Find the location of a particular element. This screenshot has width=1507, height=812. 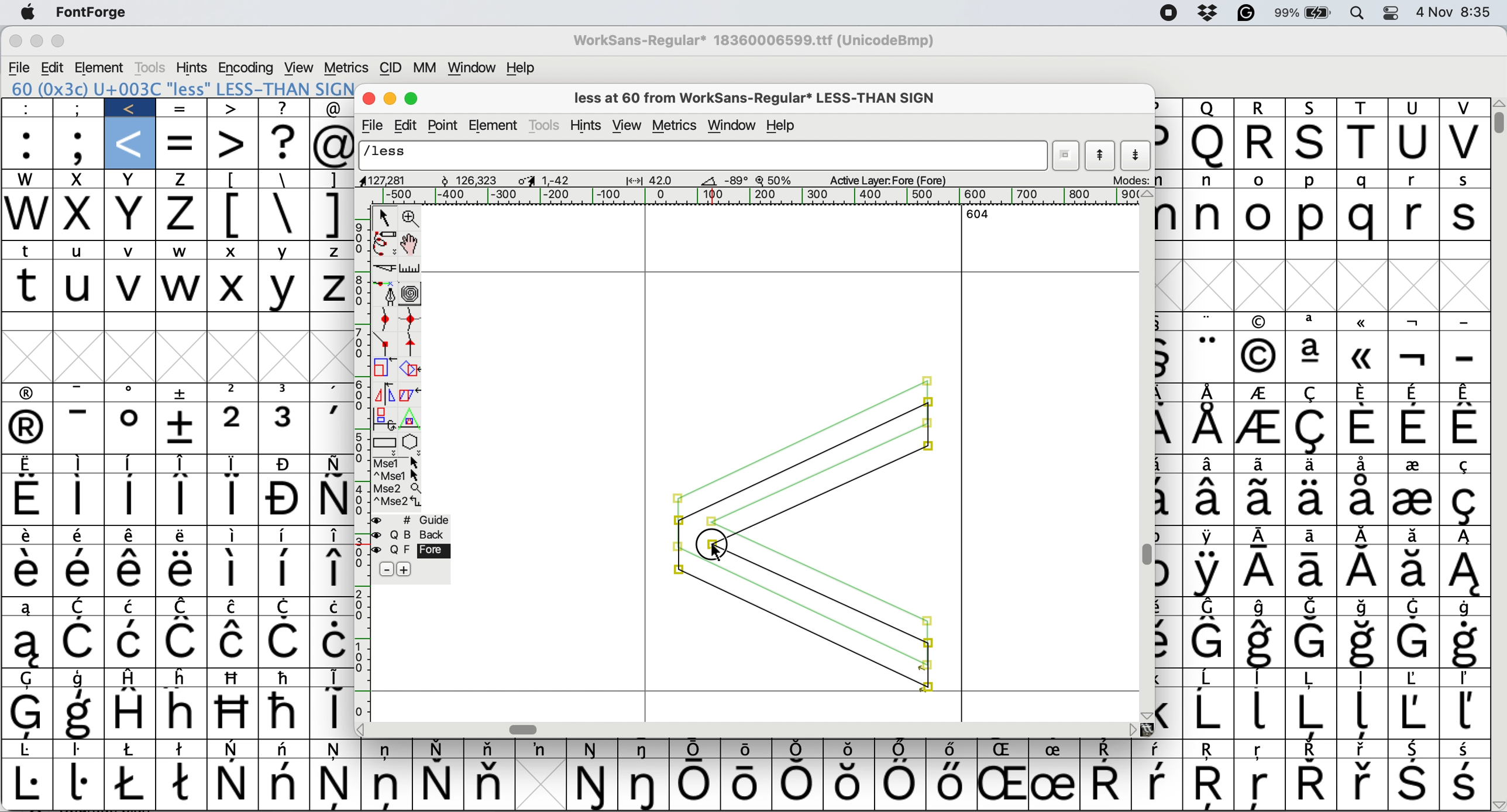

Symbol is located at coordinates (129, 500).